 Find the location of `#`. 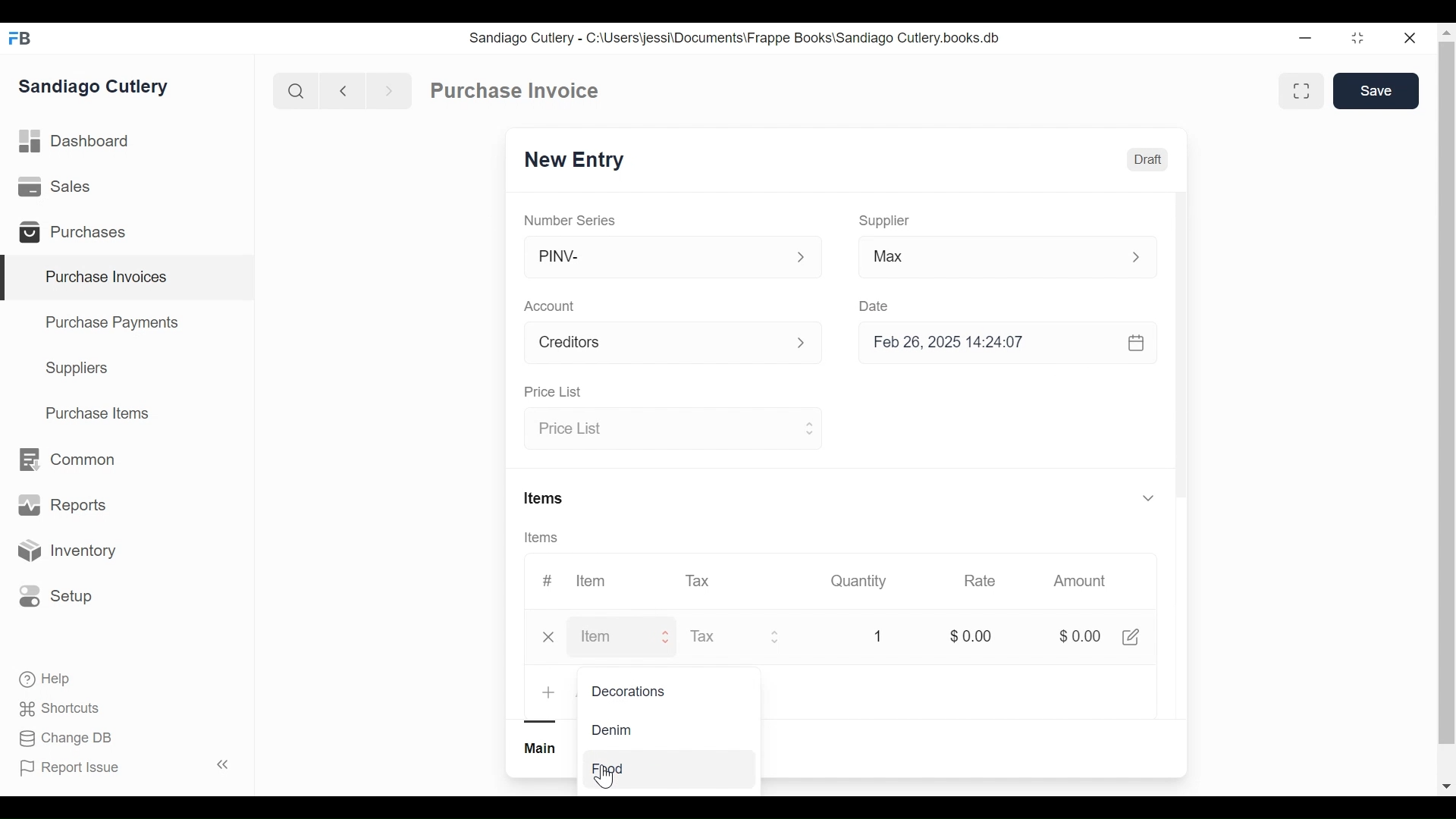

# is located at coordinates (552, 582).